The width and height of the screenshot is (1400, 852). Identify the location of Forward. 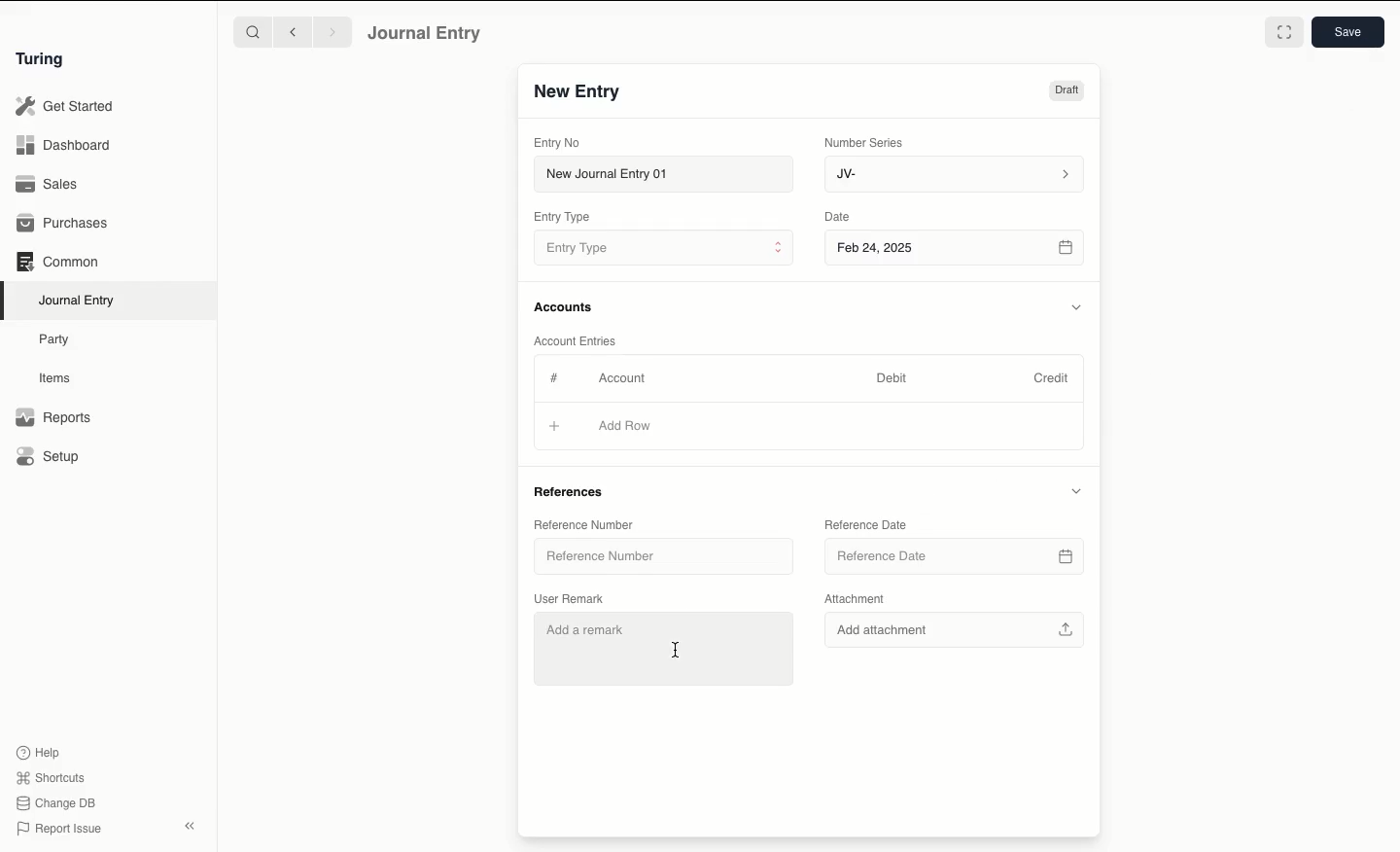
(333, 31).